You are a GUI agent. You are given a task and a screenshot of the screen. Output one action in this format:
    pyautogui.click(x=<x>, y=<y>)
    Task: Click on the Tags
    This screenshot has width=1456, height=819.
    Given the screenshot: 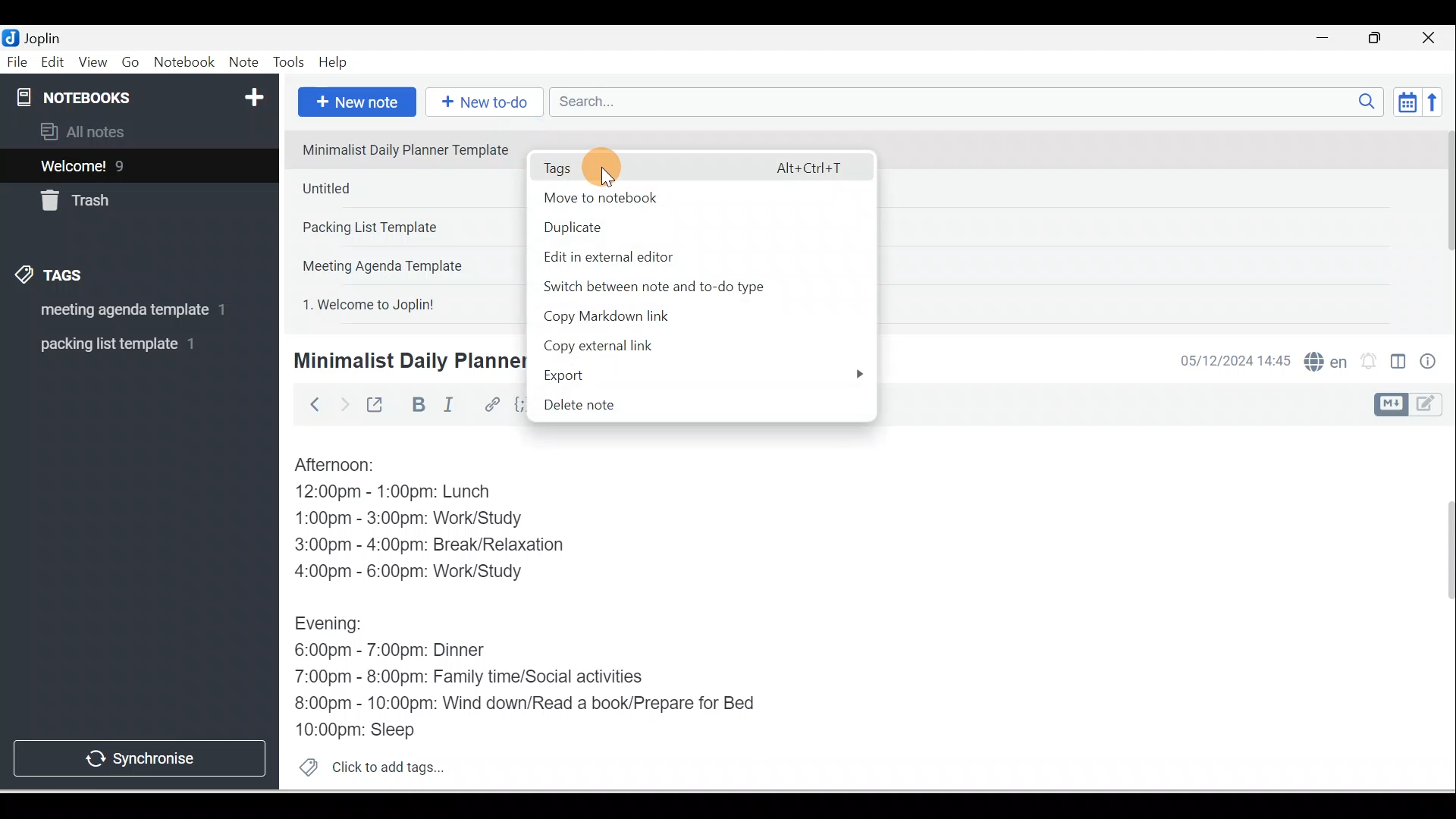 What is the action you would take?
    pyautogui.click(x=700, y=165)
    